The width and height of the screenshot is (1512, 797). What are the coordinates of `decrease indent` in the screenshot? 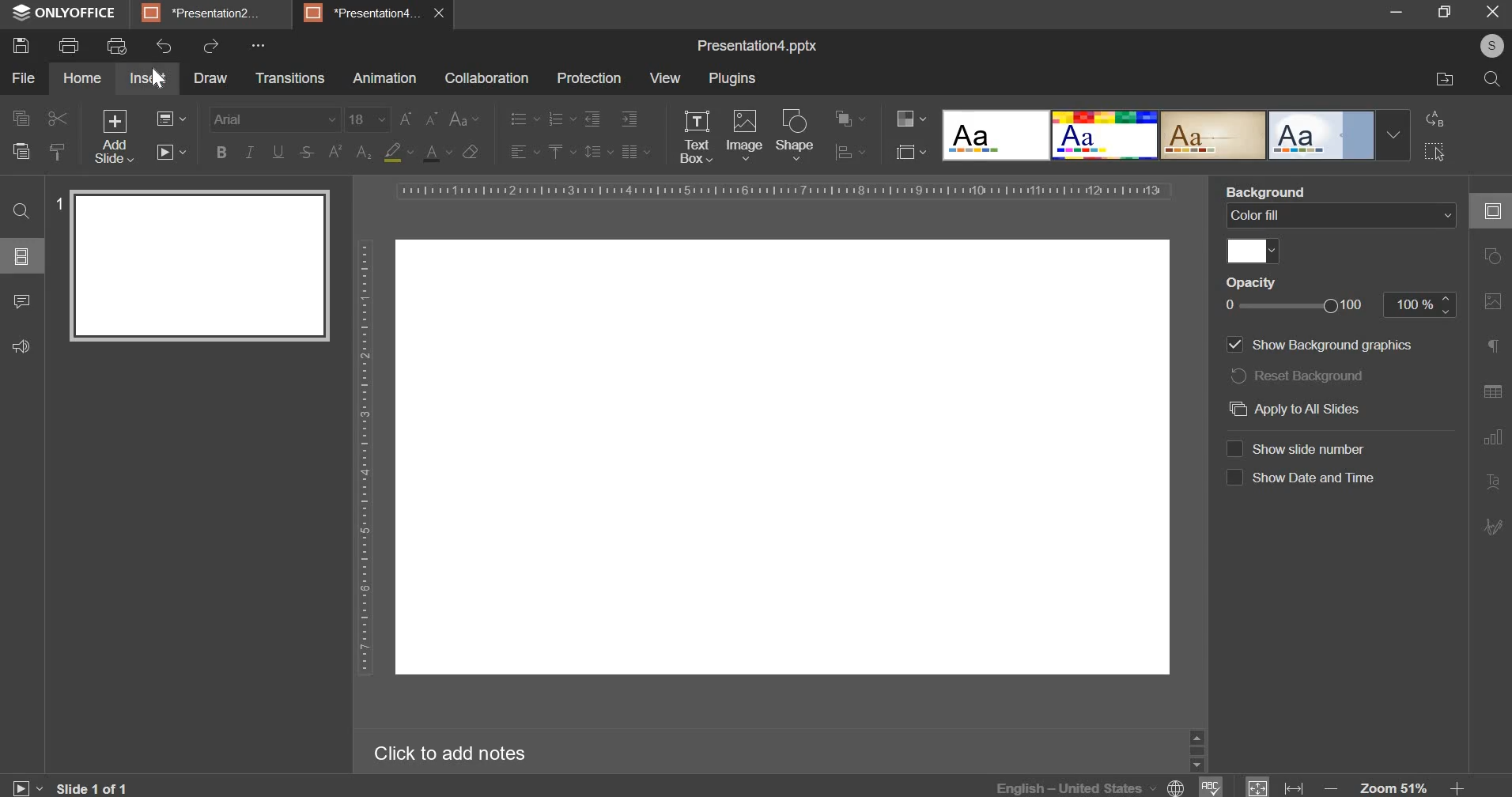 It's located at (592, 117).